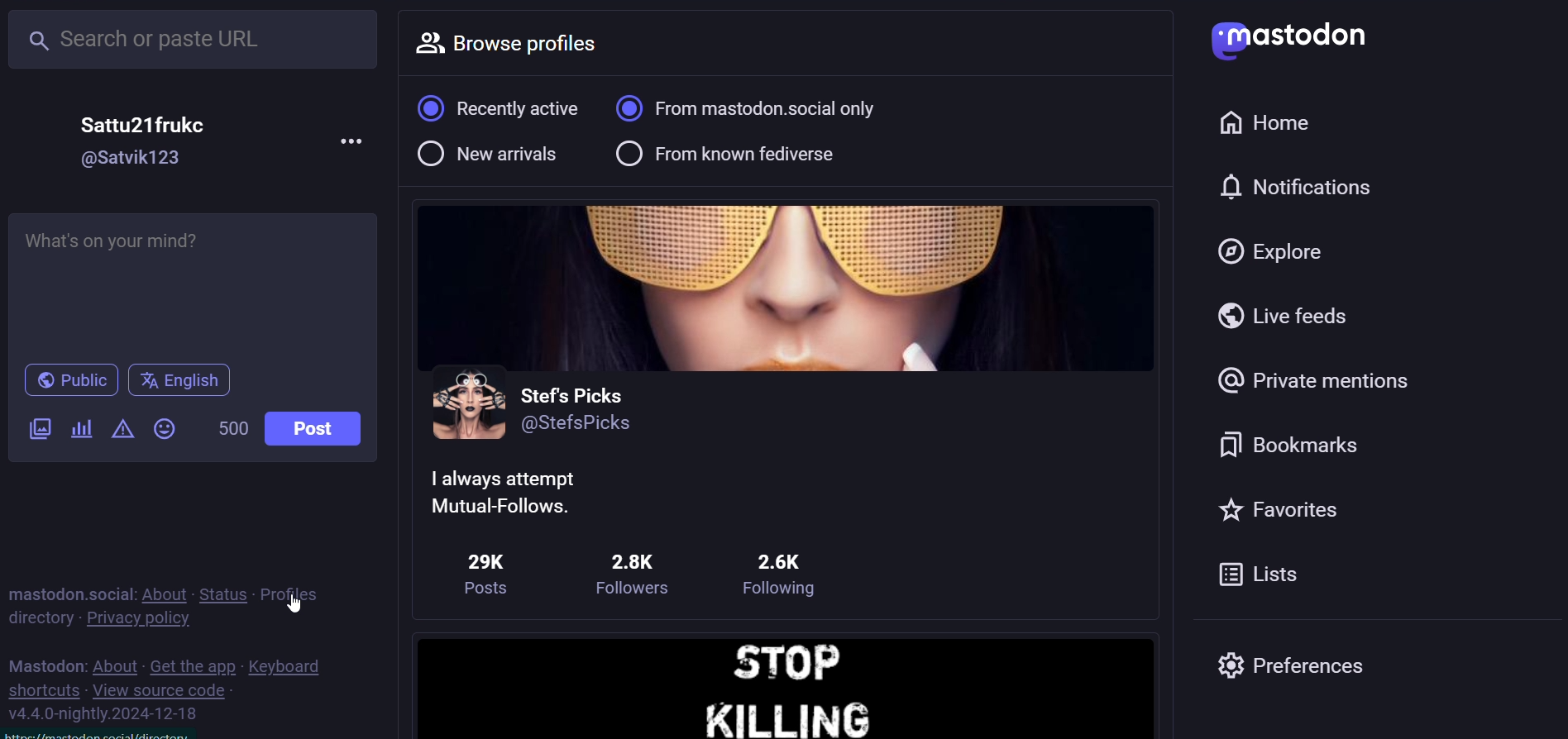 Image resolution: width=1568 pixels, height=739 pixels. What do you see at coordinates (301, 601) in the screenshot?
I see `cursor` at bounding box center [301, 601].